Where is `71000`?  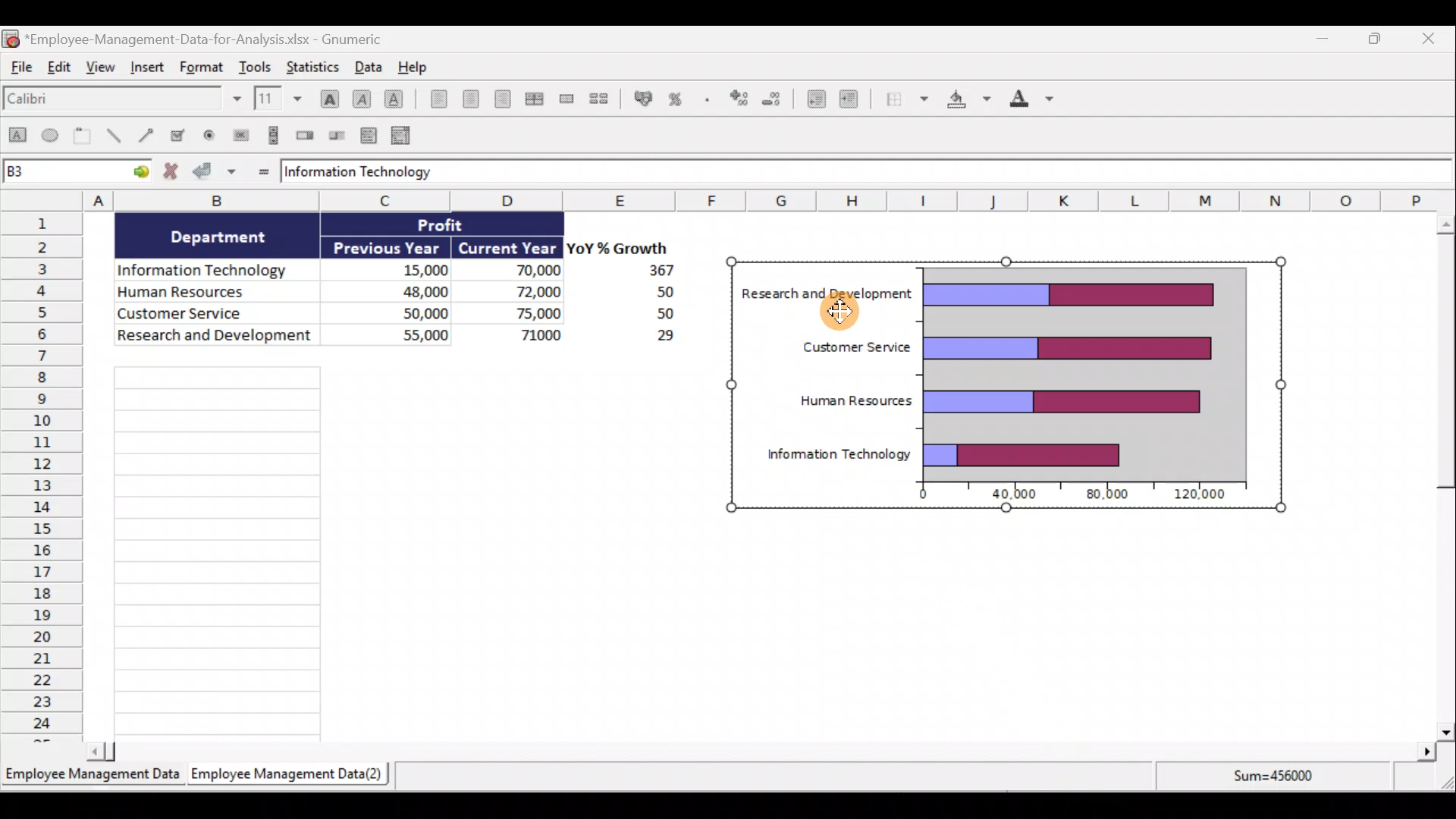 71000 is located at coordinates (535, 334).